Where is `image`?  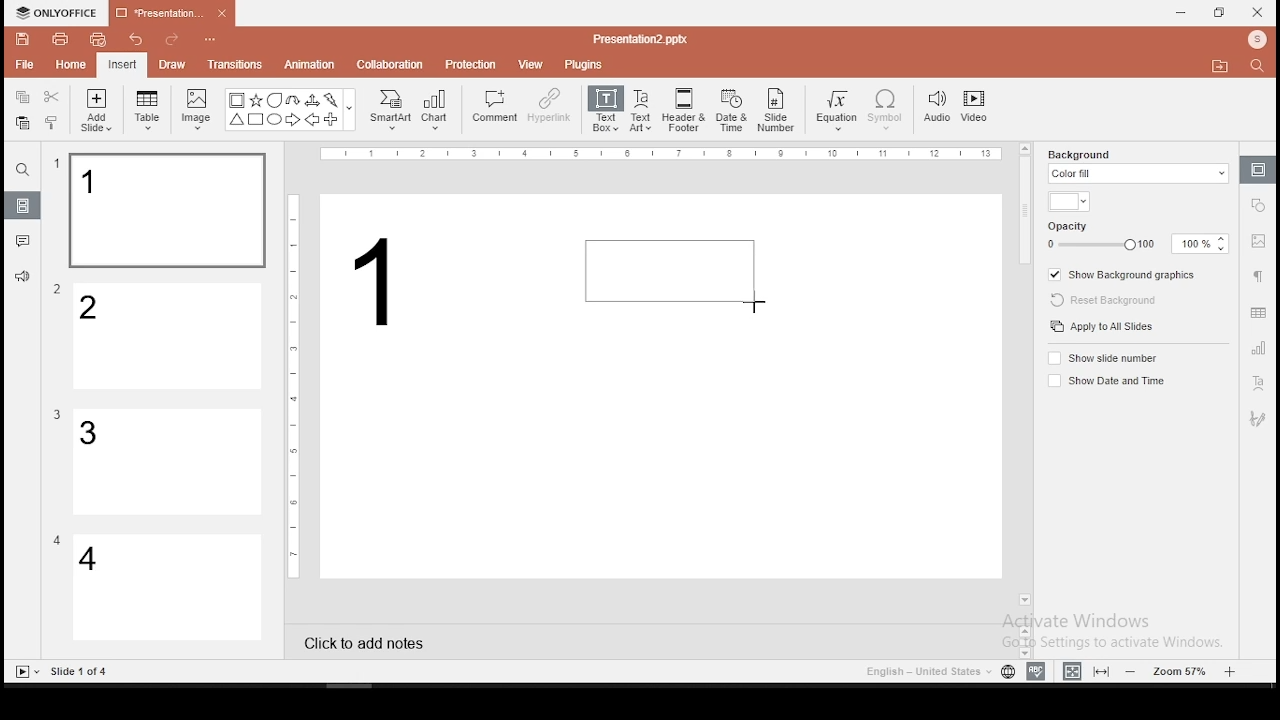
image is located at coordinates (198, 109).